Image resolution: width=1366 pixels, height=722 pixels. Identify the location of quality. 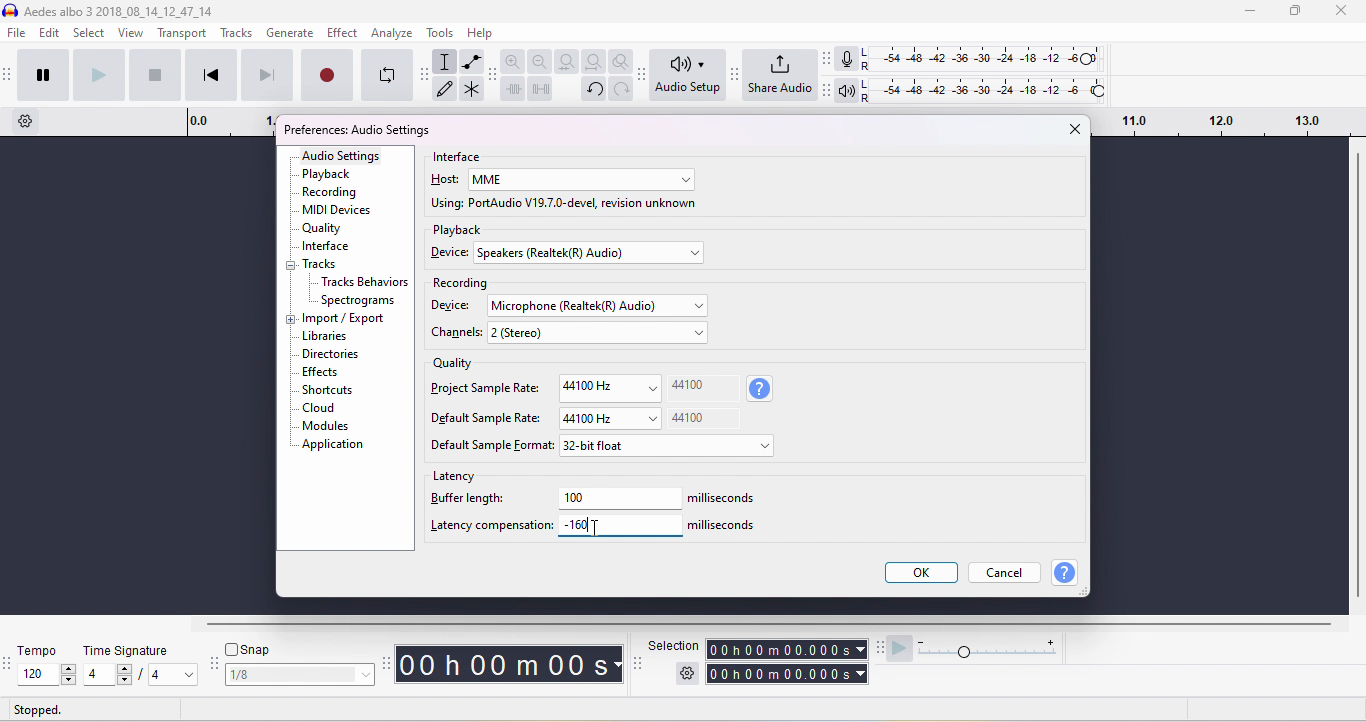
(452, 365).